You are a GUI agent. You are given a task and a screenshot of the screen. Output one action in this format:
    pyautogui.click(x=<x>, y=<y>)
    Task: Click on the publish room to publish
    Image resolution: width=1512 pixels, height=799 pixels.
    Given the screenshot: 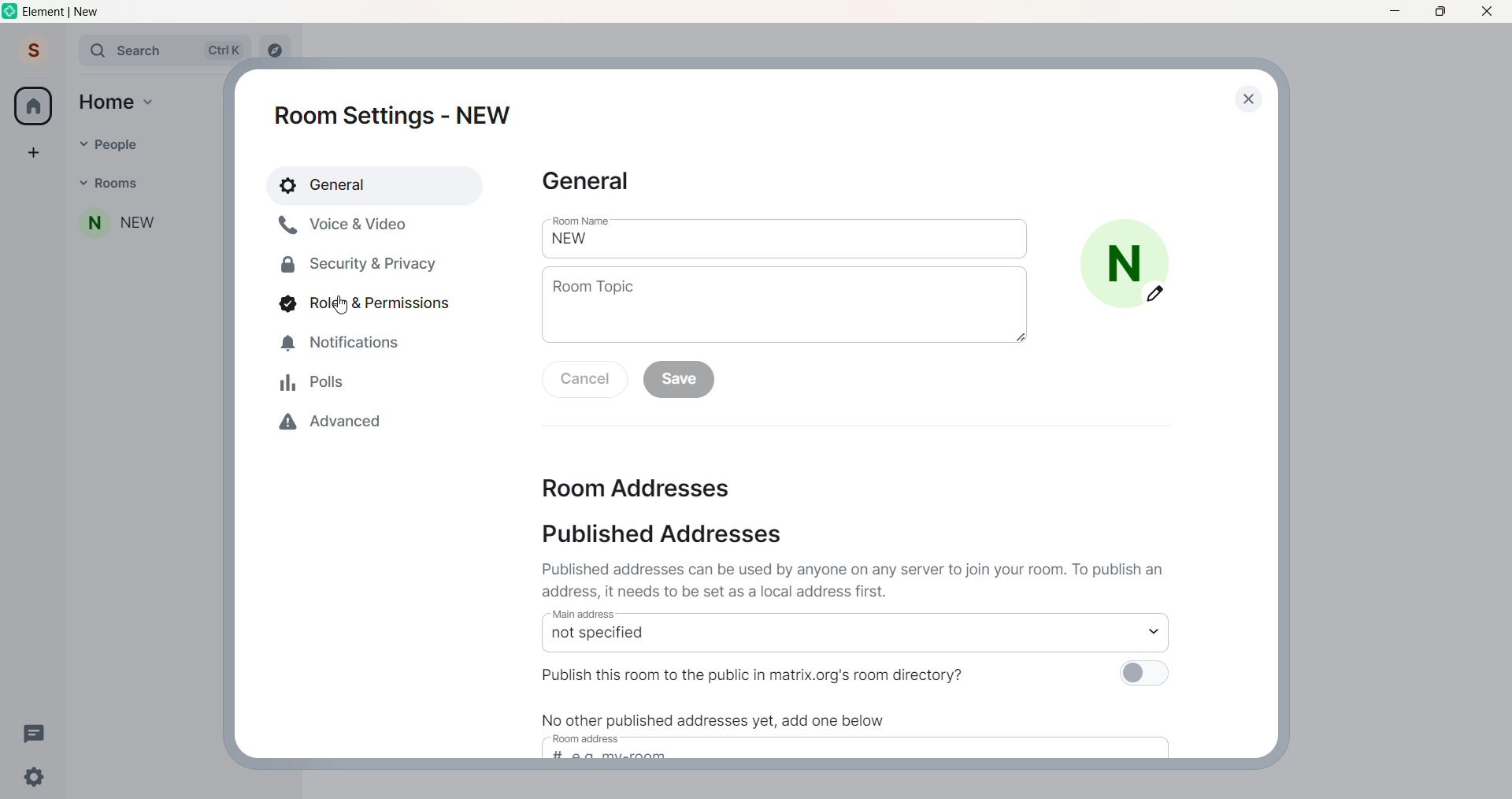 What is the action you would take?
    pyautogui.click(x=860, y=674)
    